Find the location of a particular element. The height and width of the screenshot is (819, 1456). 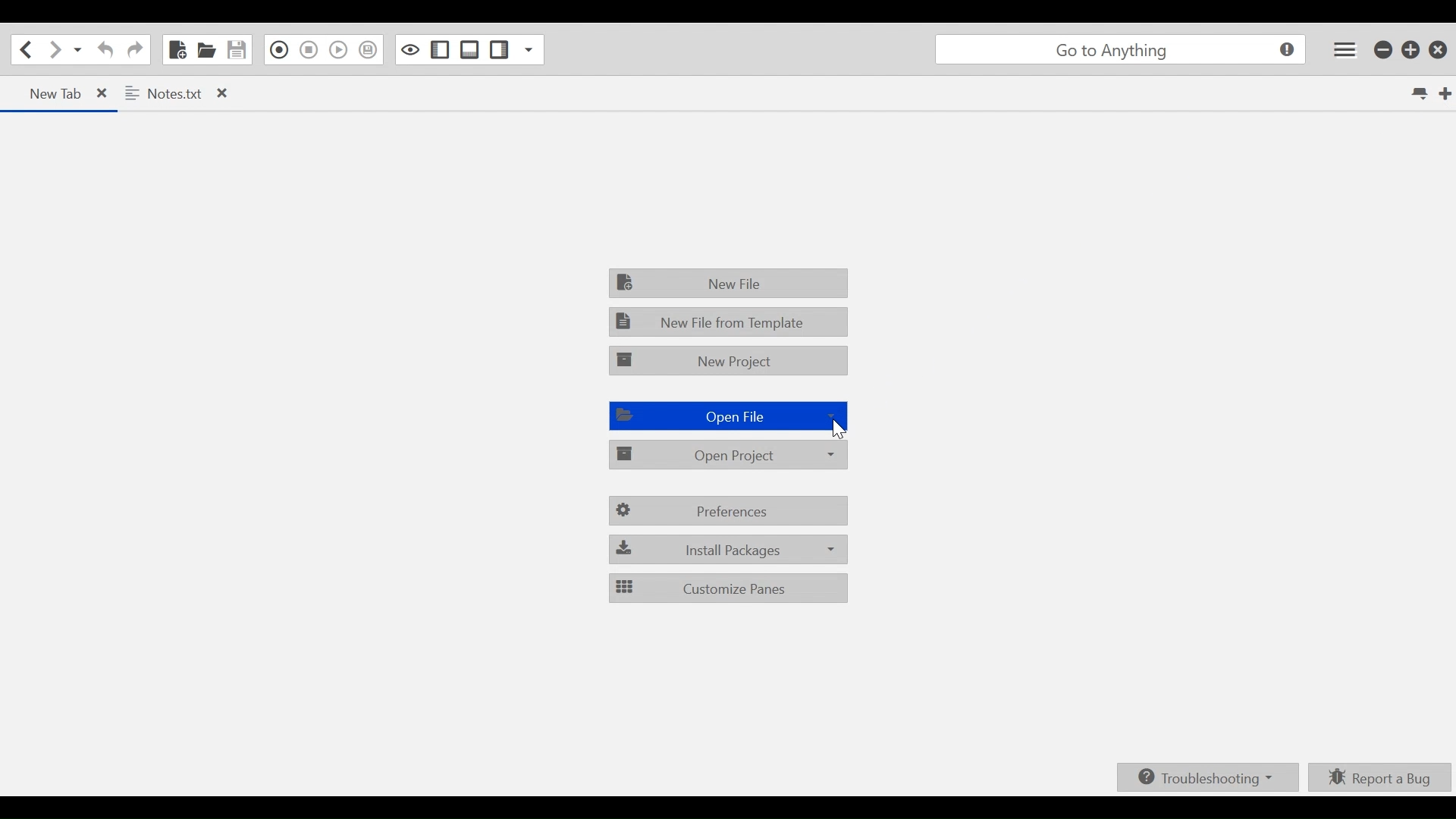

New Project is located at coordinates (730, 360).